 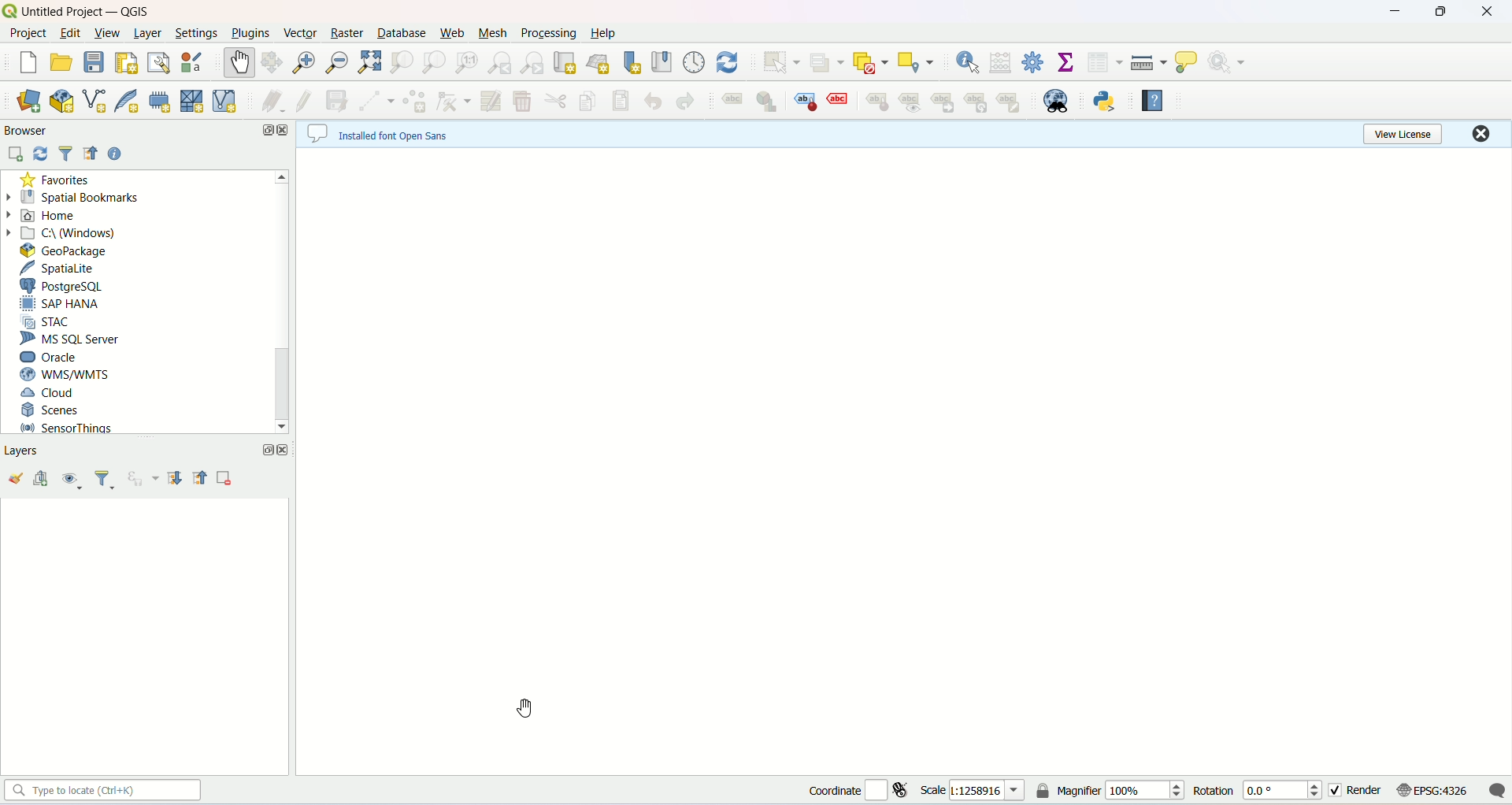 I want to click on PostgreSQL, so click(x=65, y=285).